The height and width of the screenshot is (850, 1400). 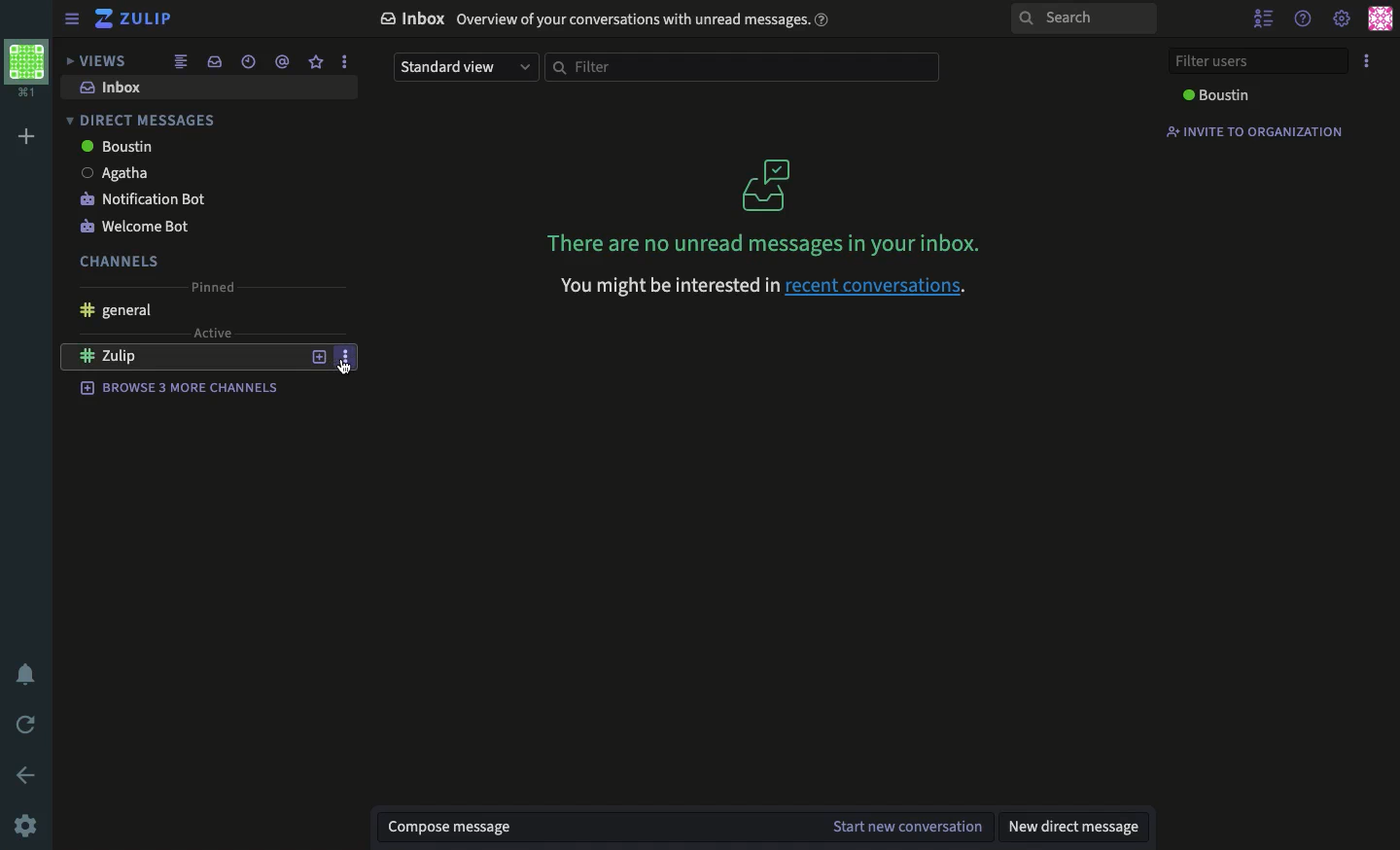 I want to click on inbox, so click(x=115, y=89).